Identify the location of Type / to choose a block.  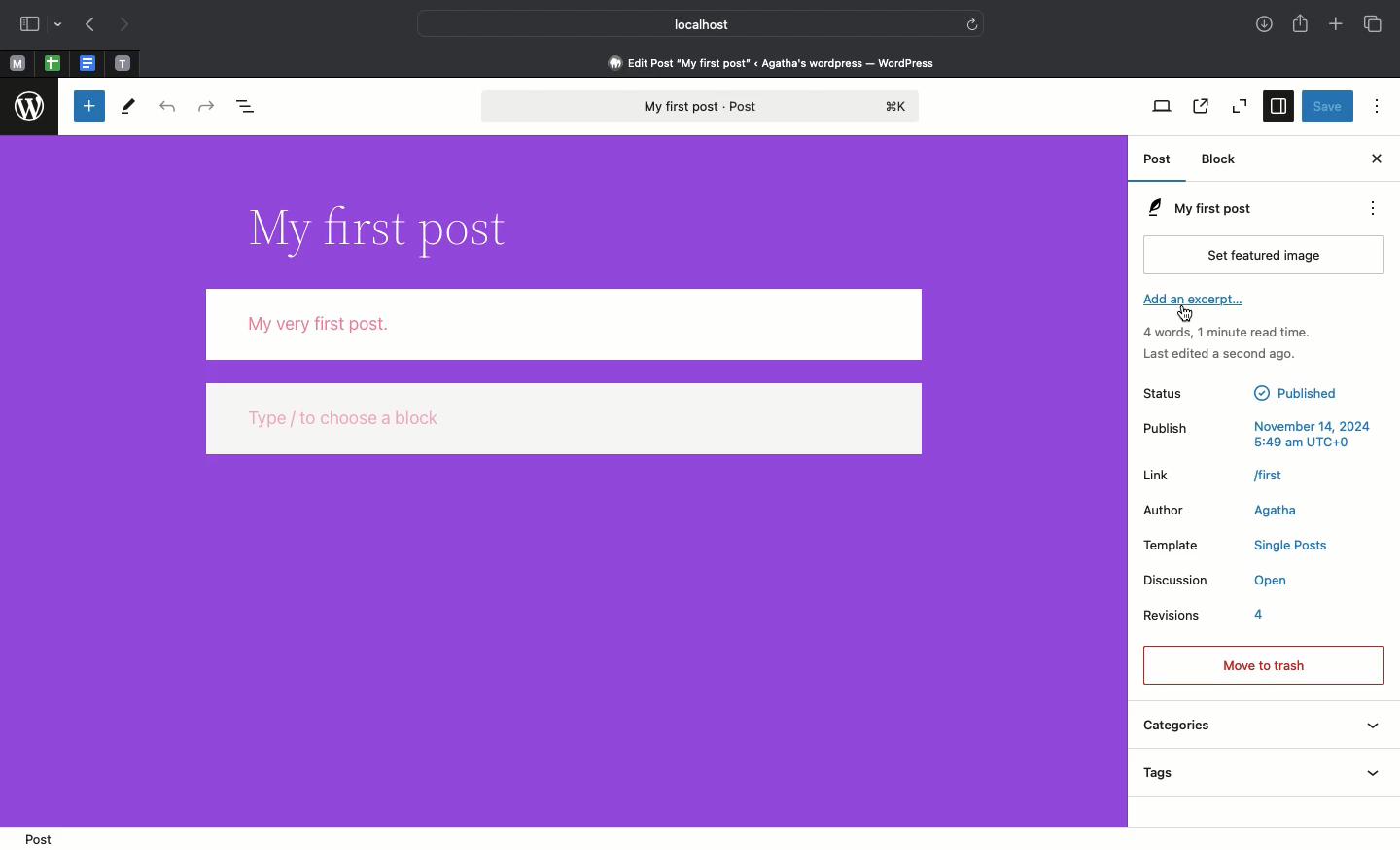
(565, 419).